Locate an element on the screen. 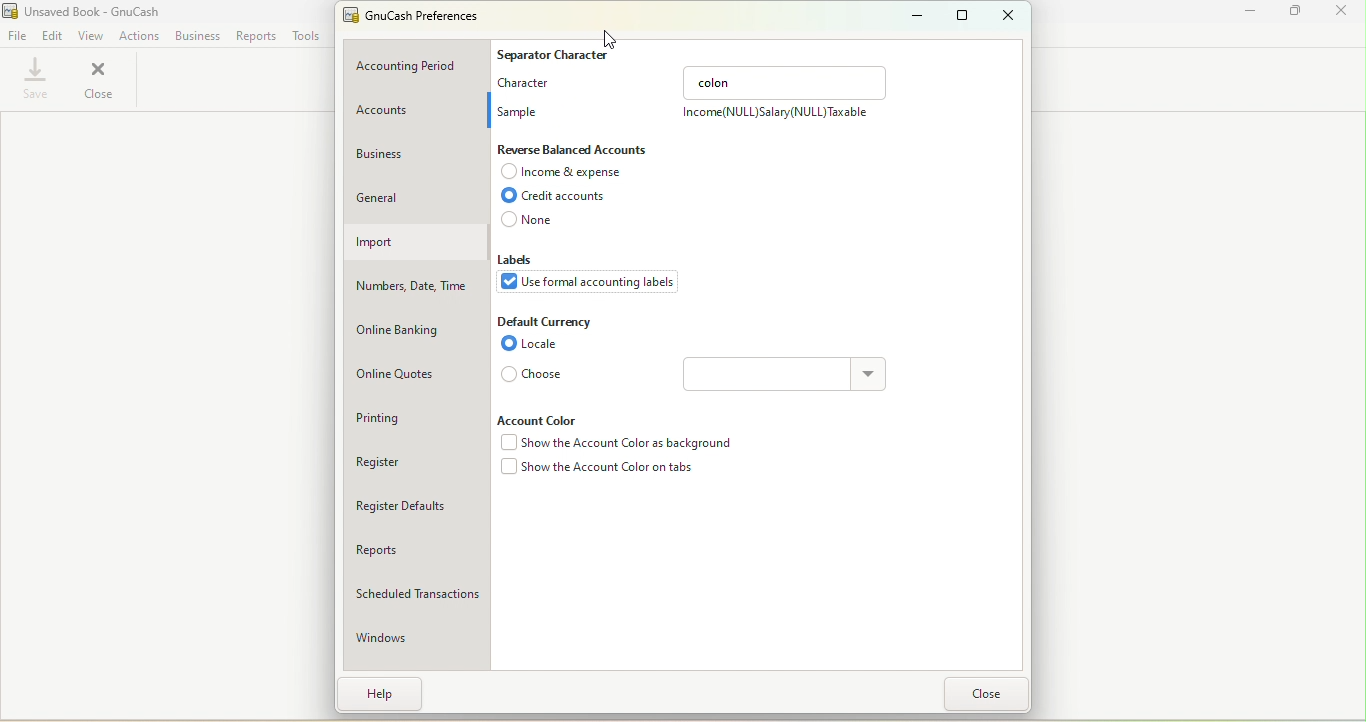  Reverse balanced accounts is located at coordinates (576, 150).